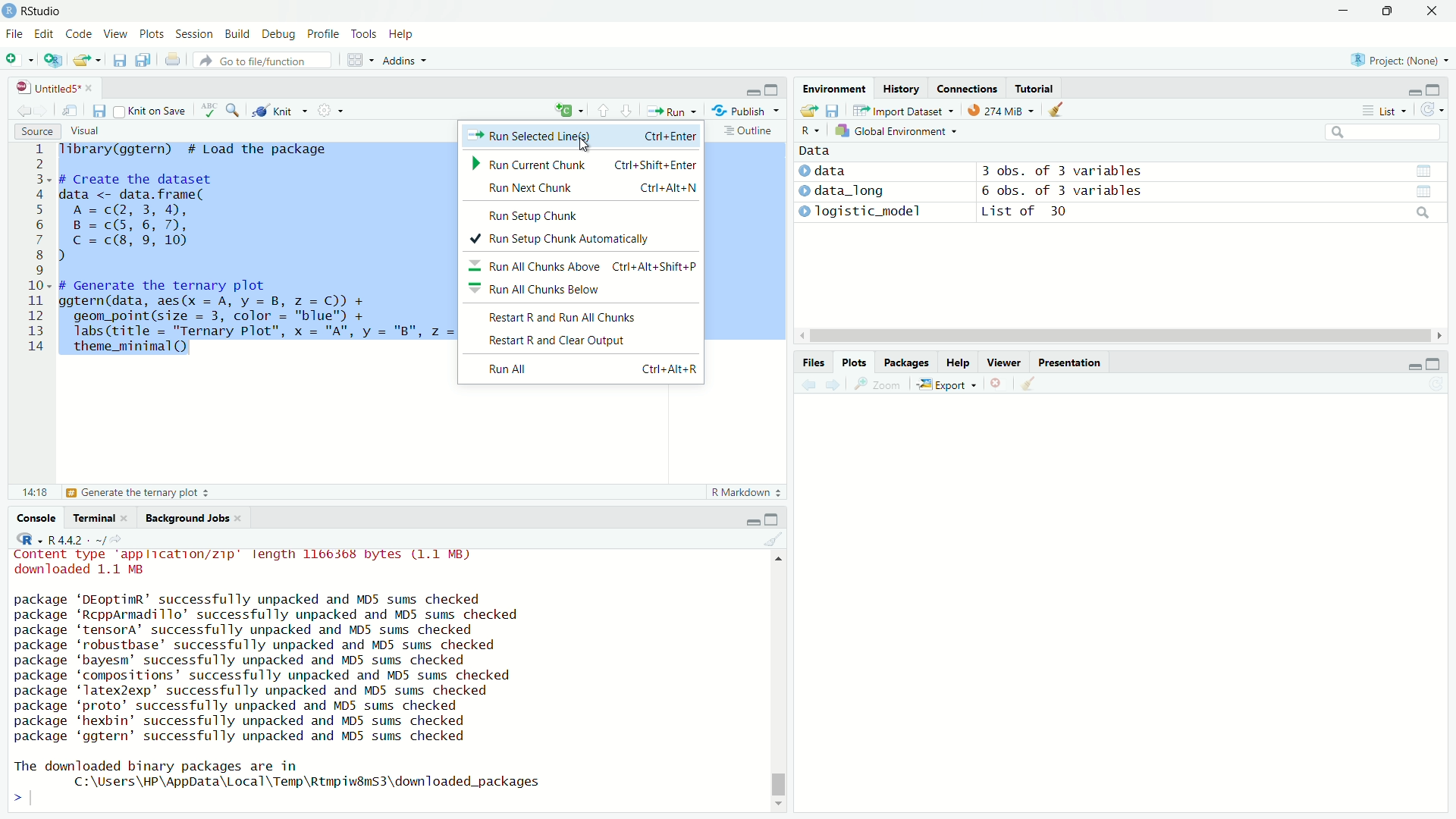 The image size is (1456, 819). I want to click on save, so click(835, 108).